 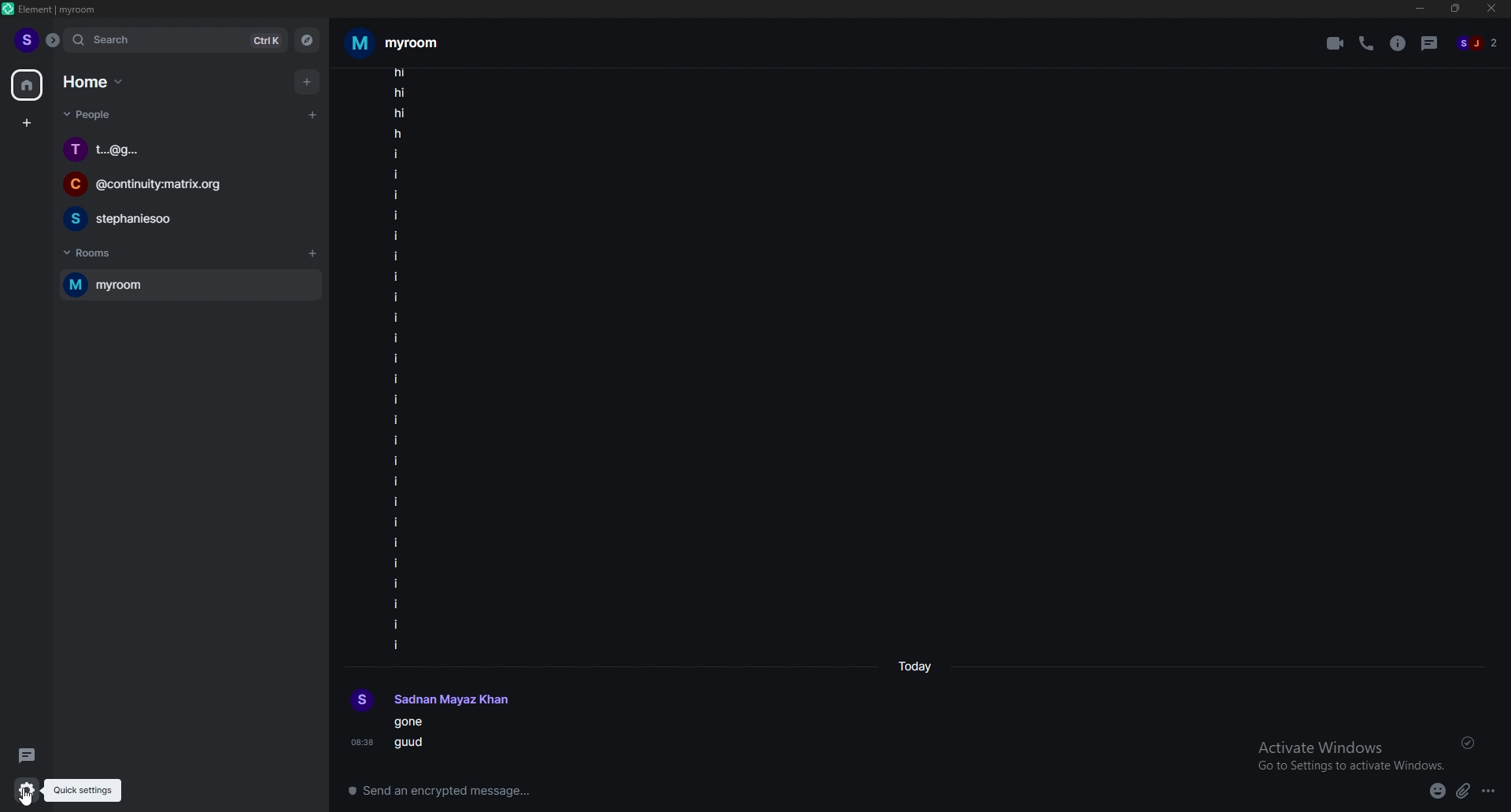 What do you see at coordinates (175, 40) in the screenshot?
I see `search bar` at bounding box center [175, 40].